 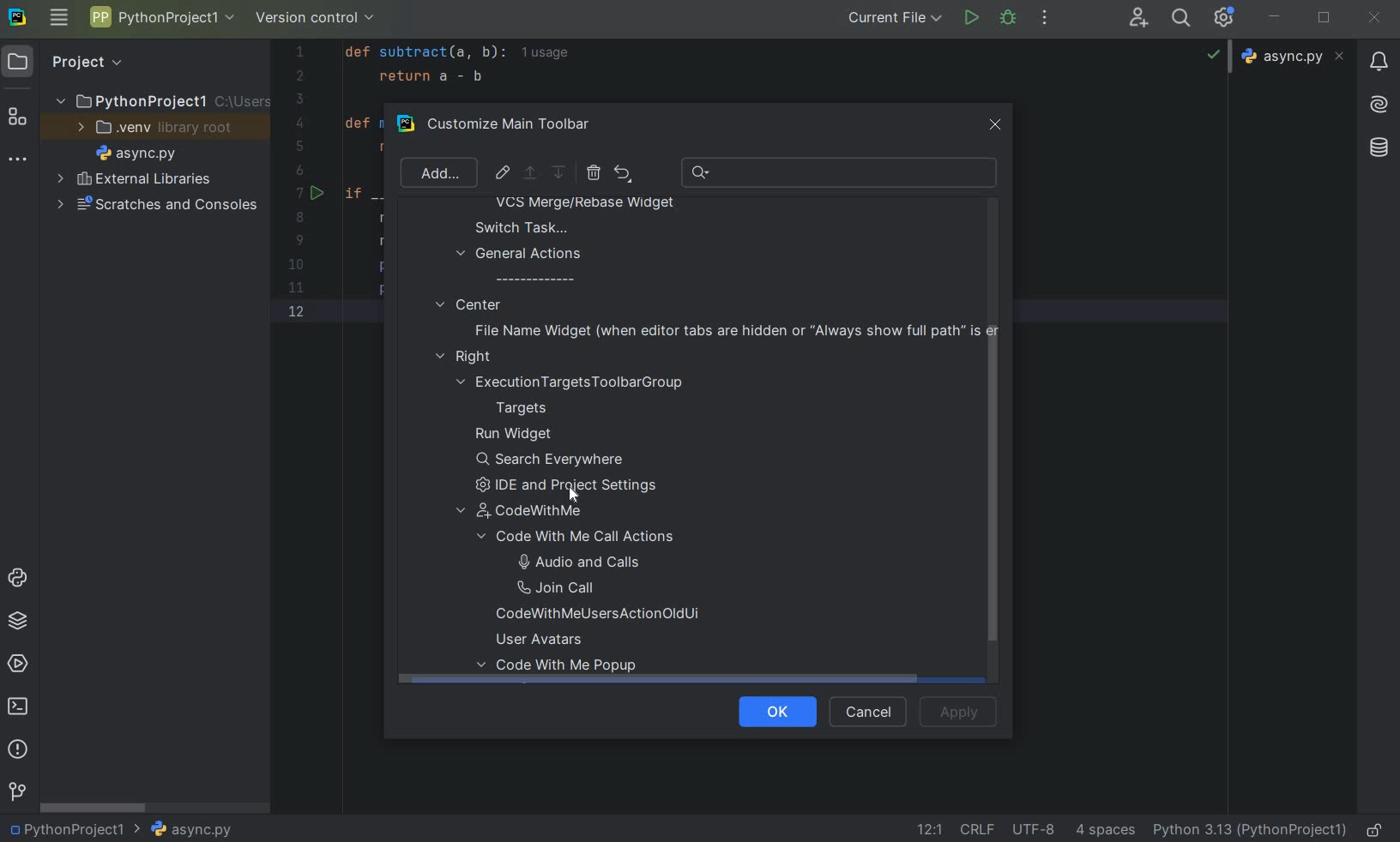 I want to click on targets, so click(x=533, y=408).